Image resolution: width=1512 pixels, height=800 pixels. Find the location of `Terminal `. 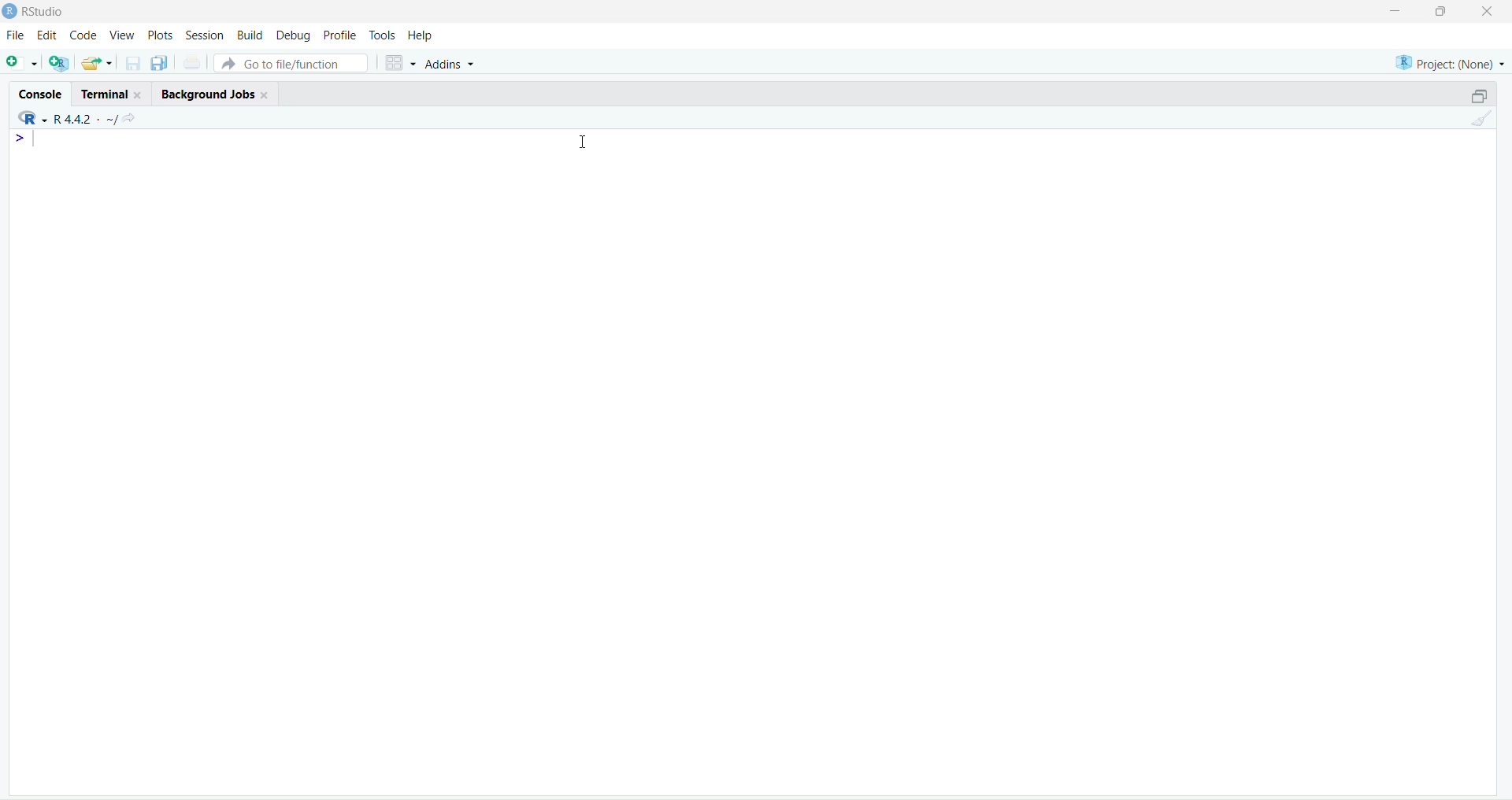

Terminal  is located at coordinates (104, 94).